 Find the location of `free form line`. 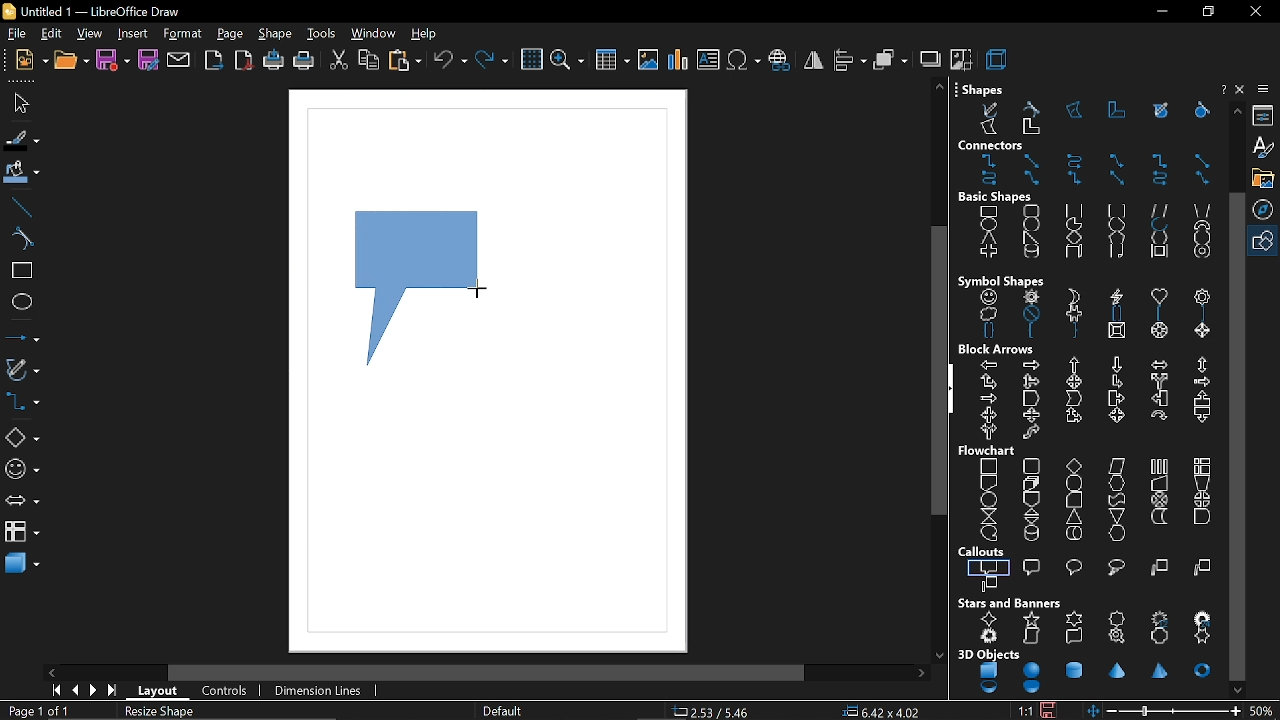

free form line is located at coordinates (988, 108).